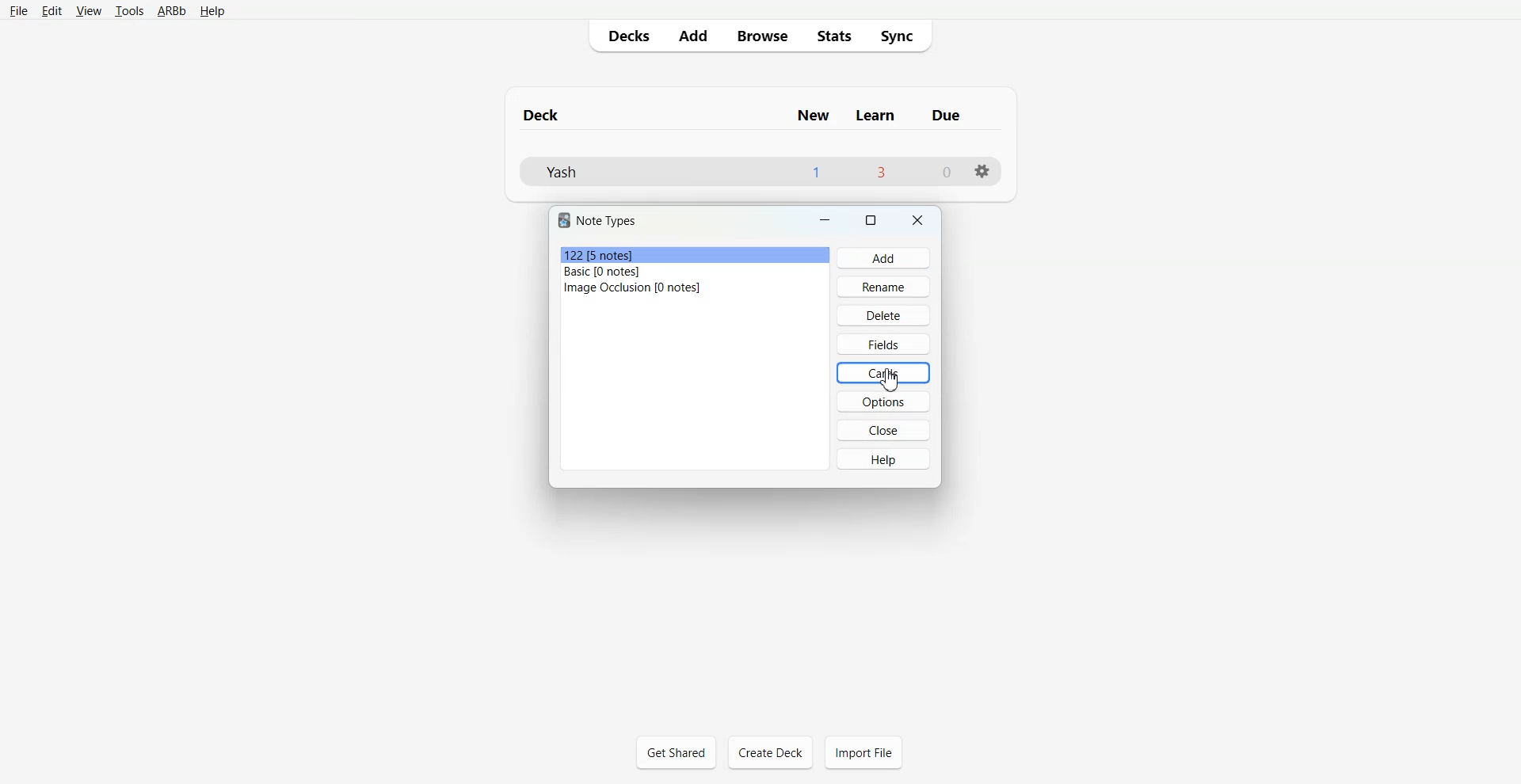 The height and width of the screenshot is (784, 1521). What do you see at coordinates (760, 35) in the screenshot?
I see `Browser` at bounding box center [760, 35].